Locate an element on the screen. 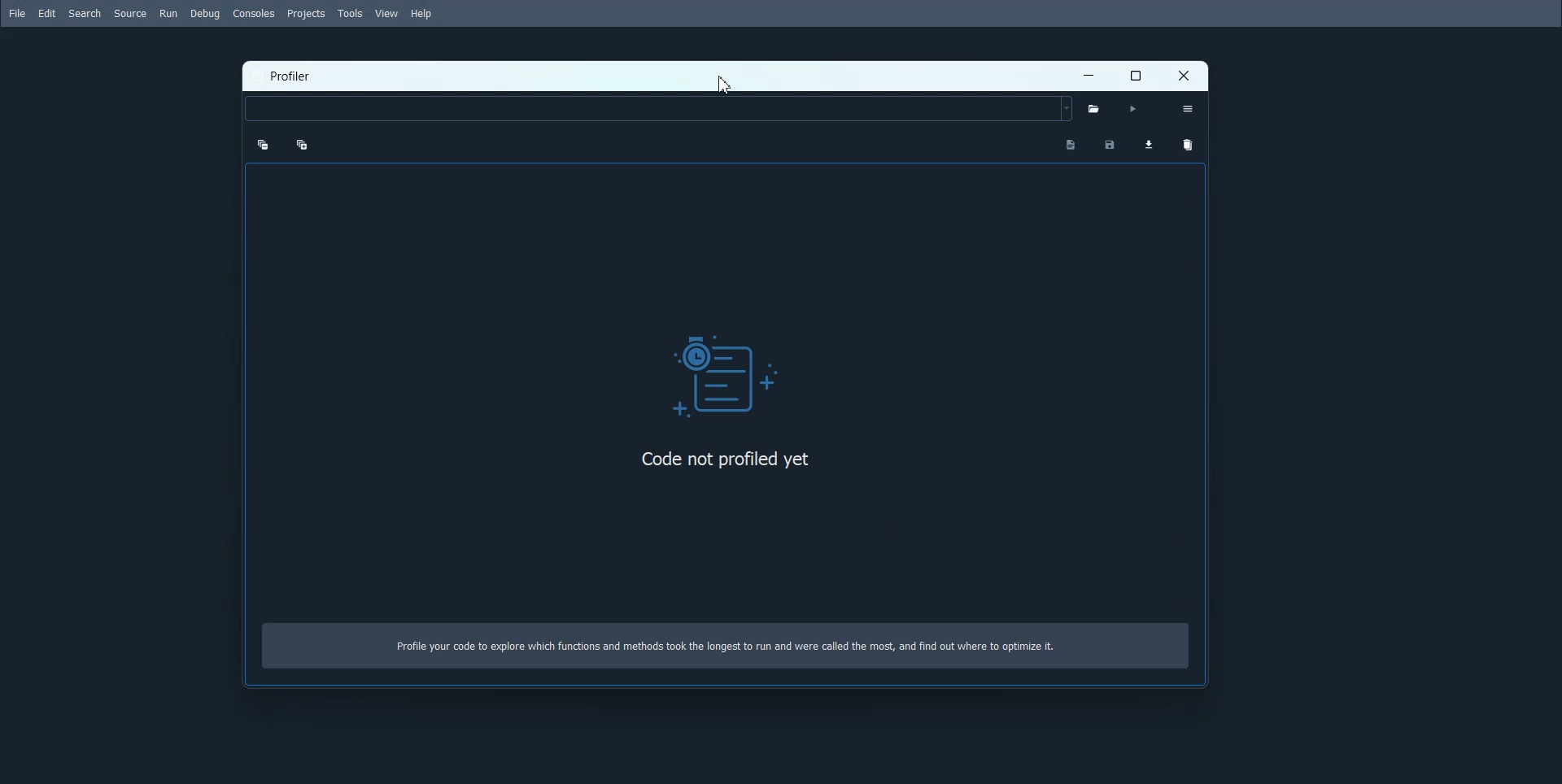 The width and height of the screenshot is (1562, 784). File is located at coordinates (16, 13).